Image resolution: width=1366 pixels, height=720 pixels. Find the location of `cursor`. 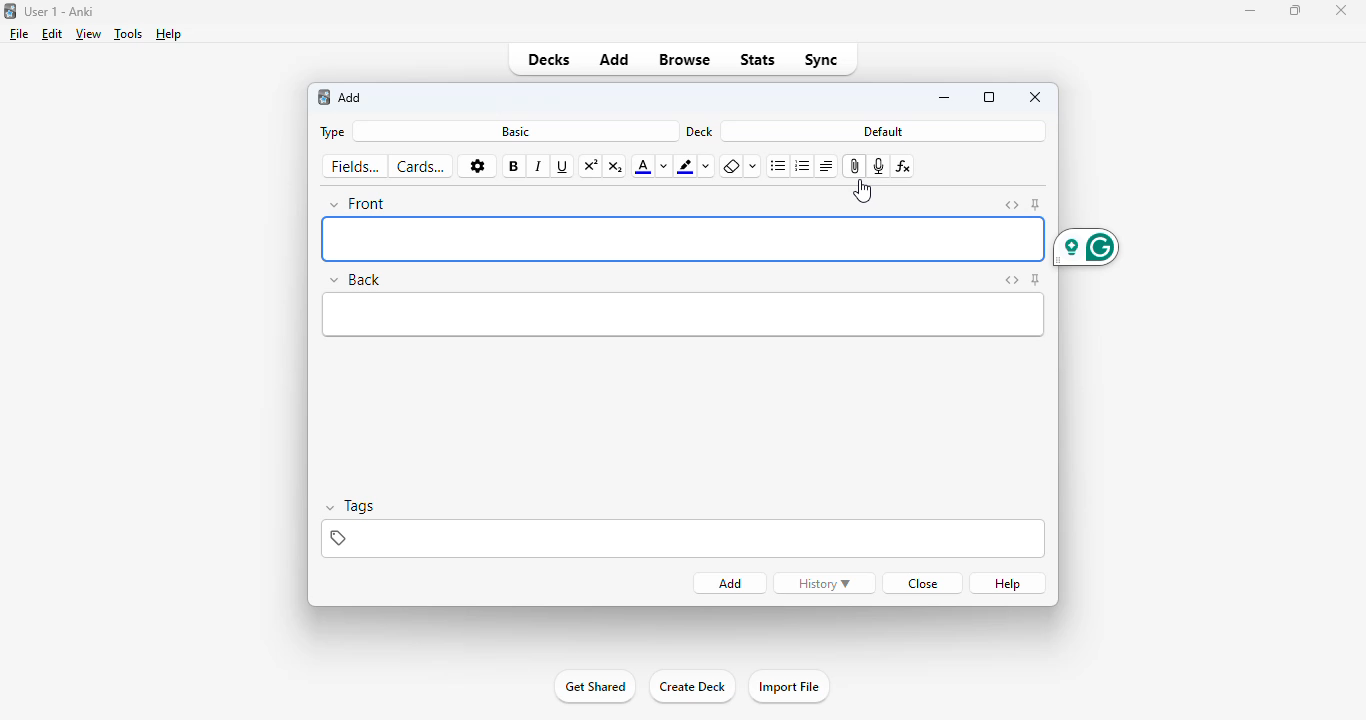

cursor is located at coordinates (862, 190).